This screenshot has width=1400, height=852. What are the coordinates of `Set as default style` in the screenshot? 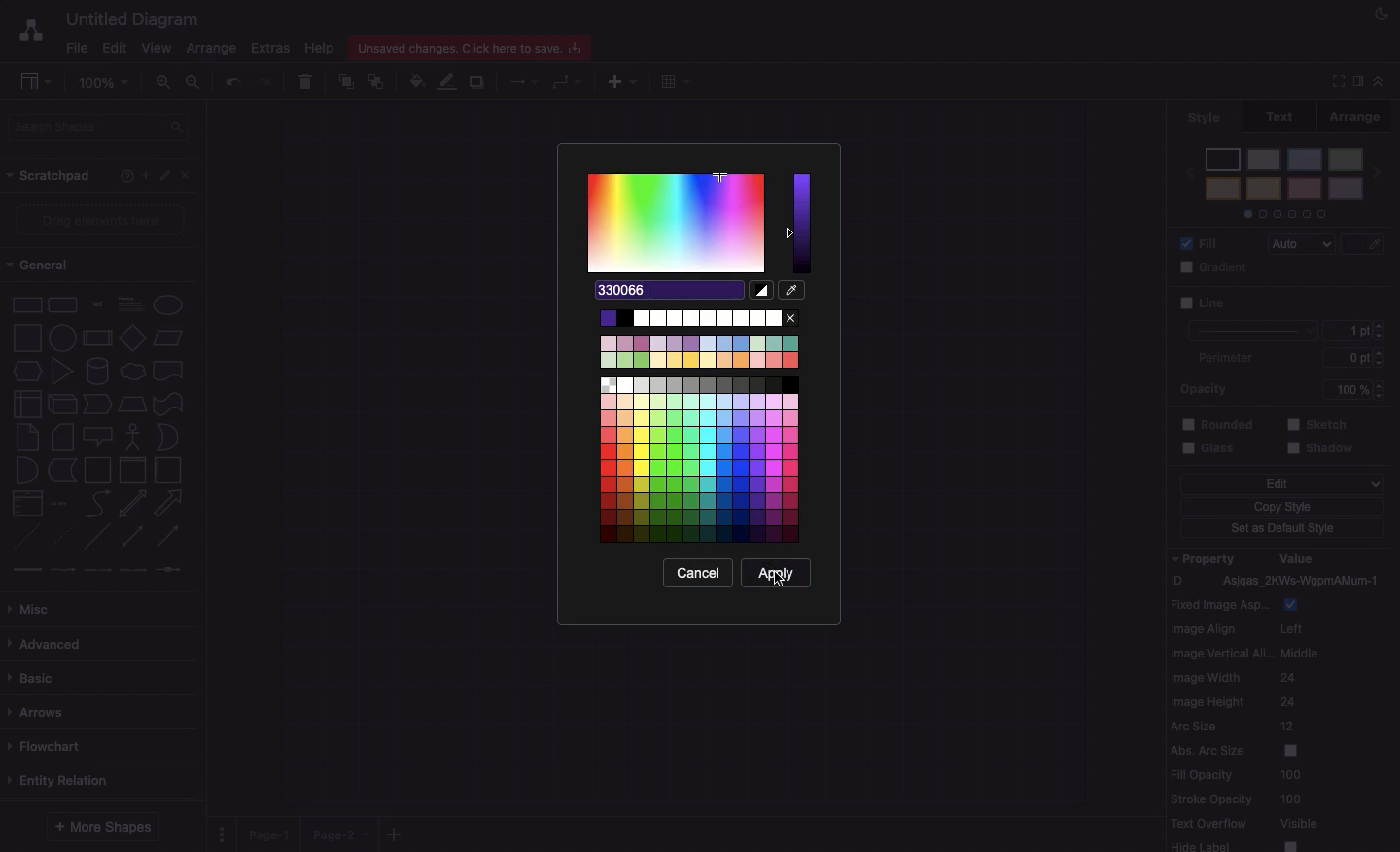 It's located at (1284, 530).